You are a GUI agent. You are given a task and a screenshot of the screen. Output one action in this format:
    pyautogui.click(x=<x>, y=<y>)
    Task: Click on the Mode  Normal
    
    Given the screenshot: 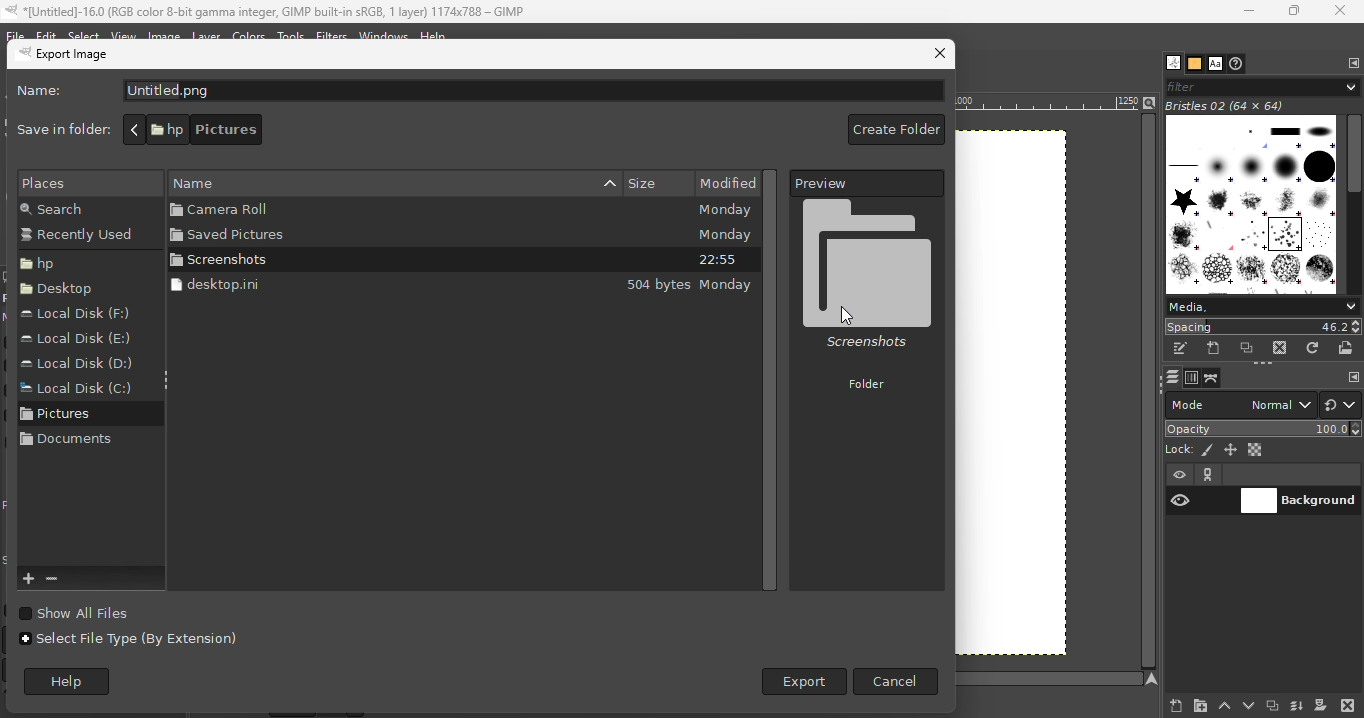 What is the action you would take?
    pyautogui.click(x=1240, y=403)
    